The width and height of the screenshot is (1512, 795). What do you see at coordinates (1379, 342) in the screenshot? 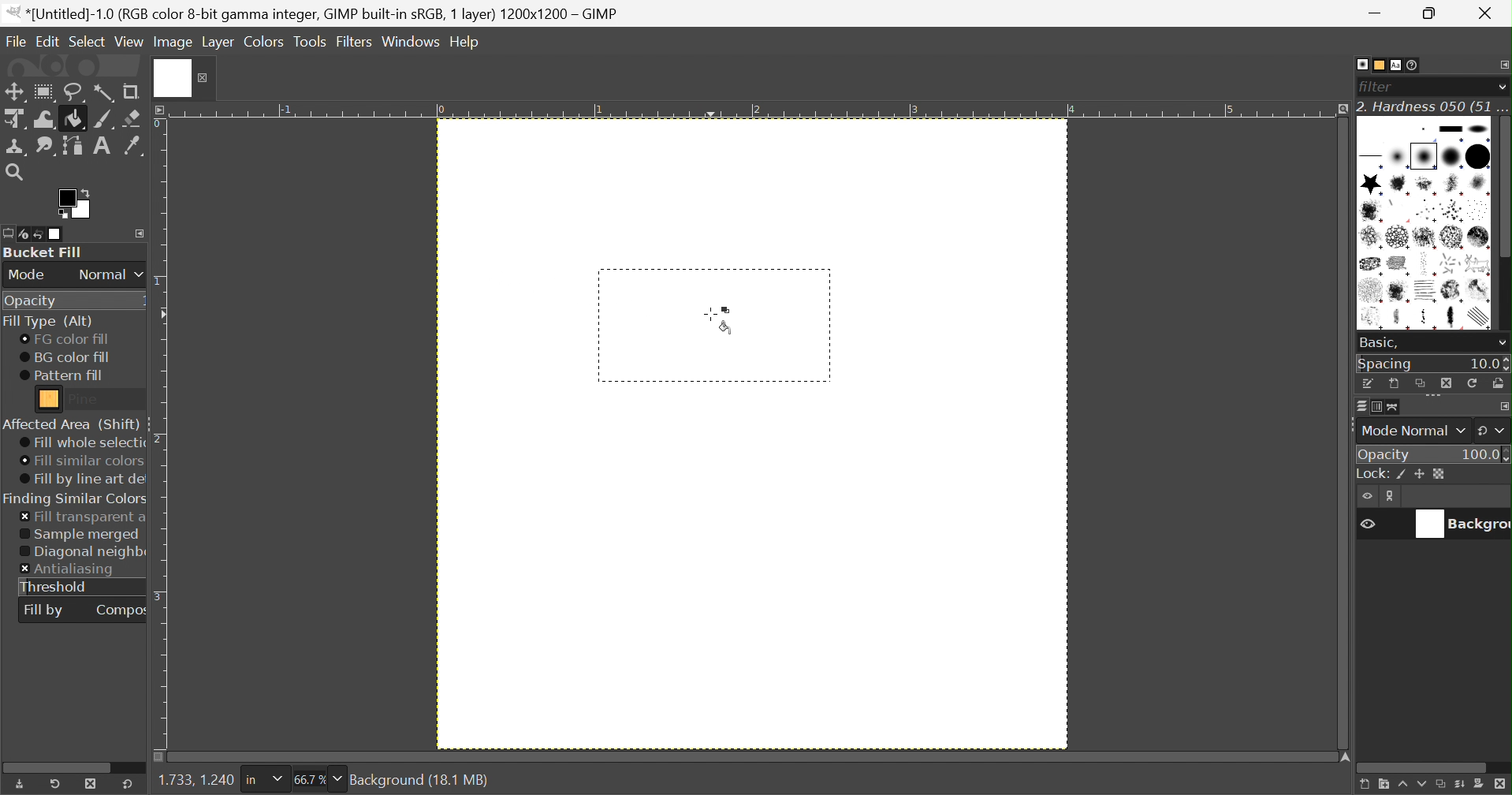
I see `Basic,` at bounding box center [1379, 342].